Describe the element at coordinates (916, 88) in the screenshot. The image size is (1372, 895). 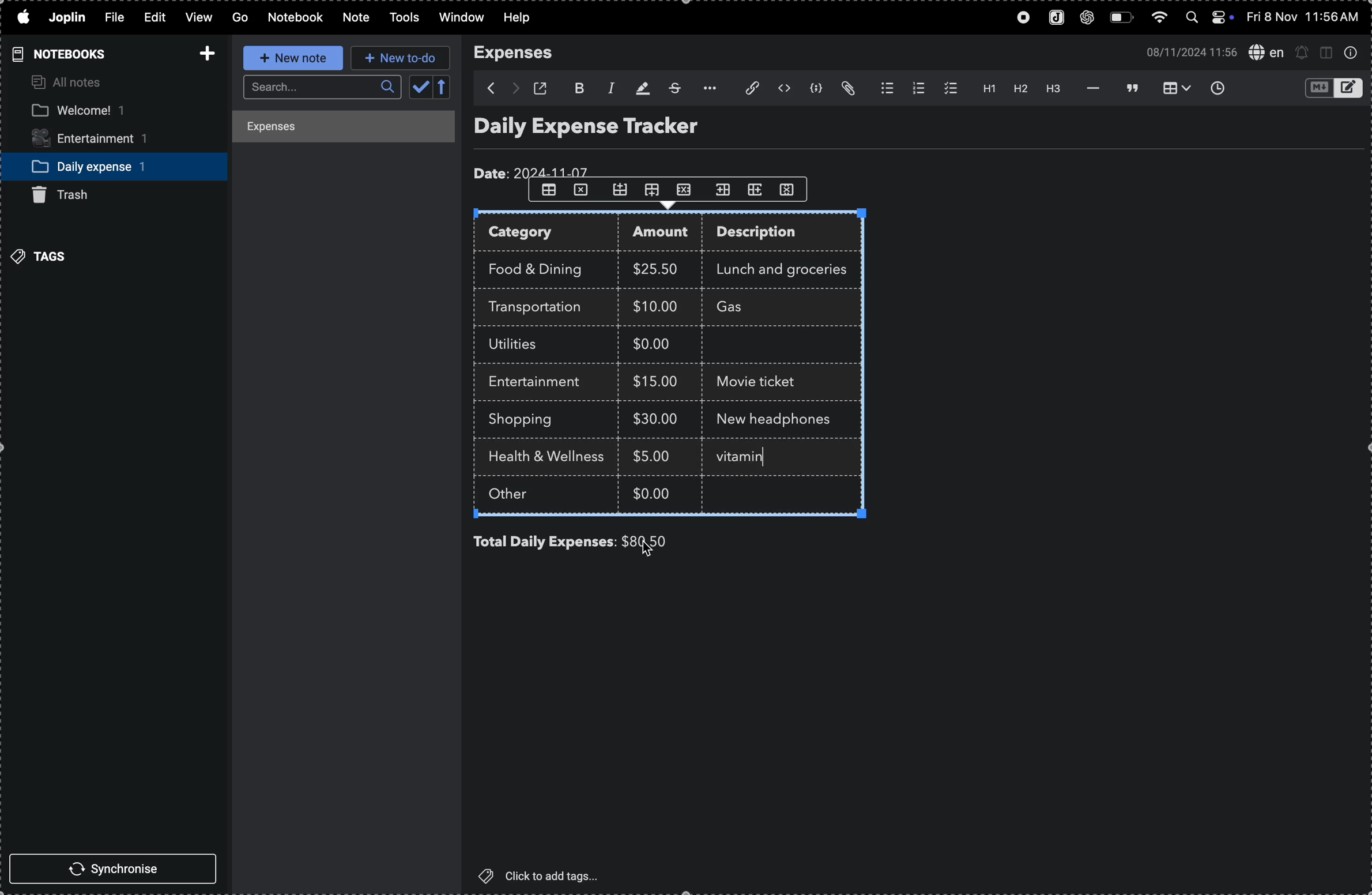
I see `numberlist` at that location.